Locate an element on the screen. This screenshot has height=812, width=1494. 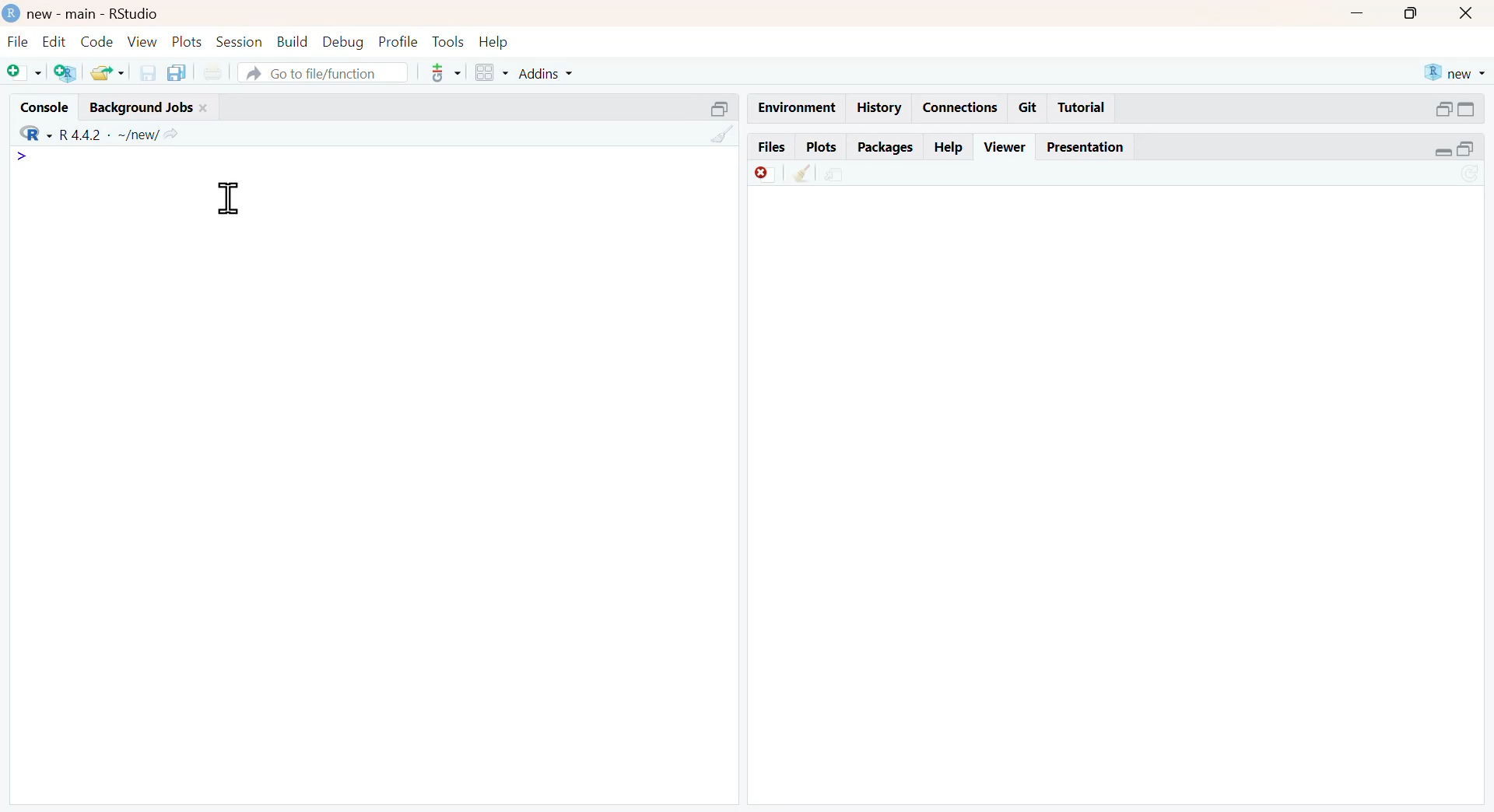
debug is located at coordinates (344, 43).